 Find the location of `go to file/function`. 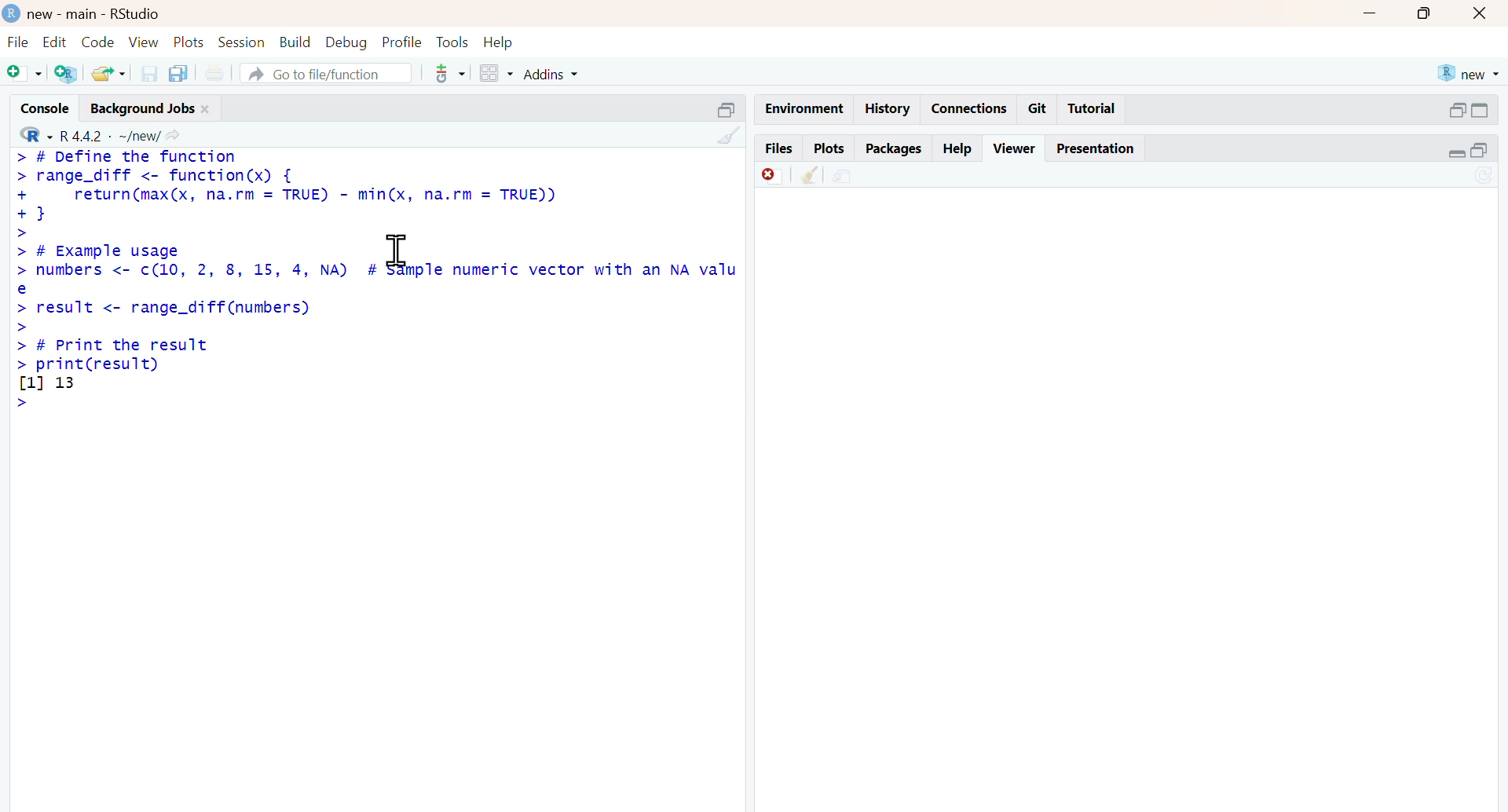

go to file/function is located at coordinates (327, 75).